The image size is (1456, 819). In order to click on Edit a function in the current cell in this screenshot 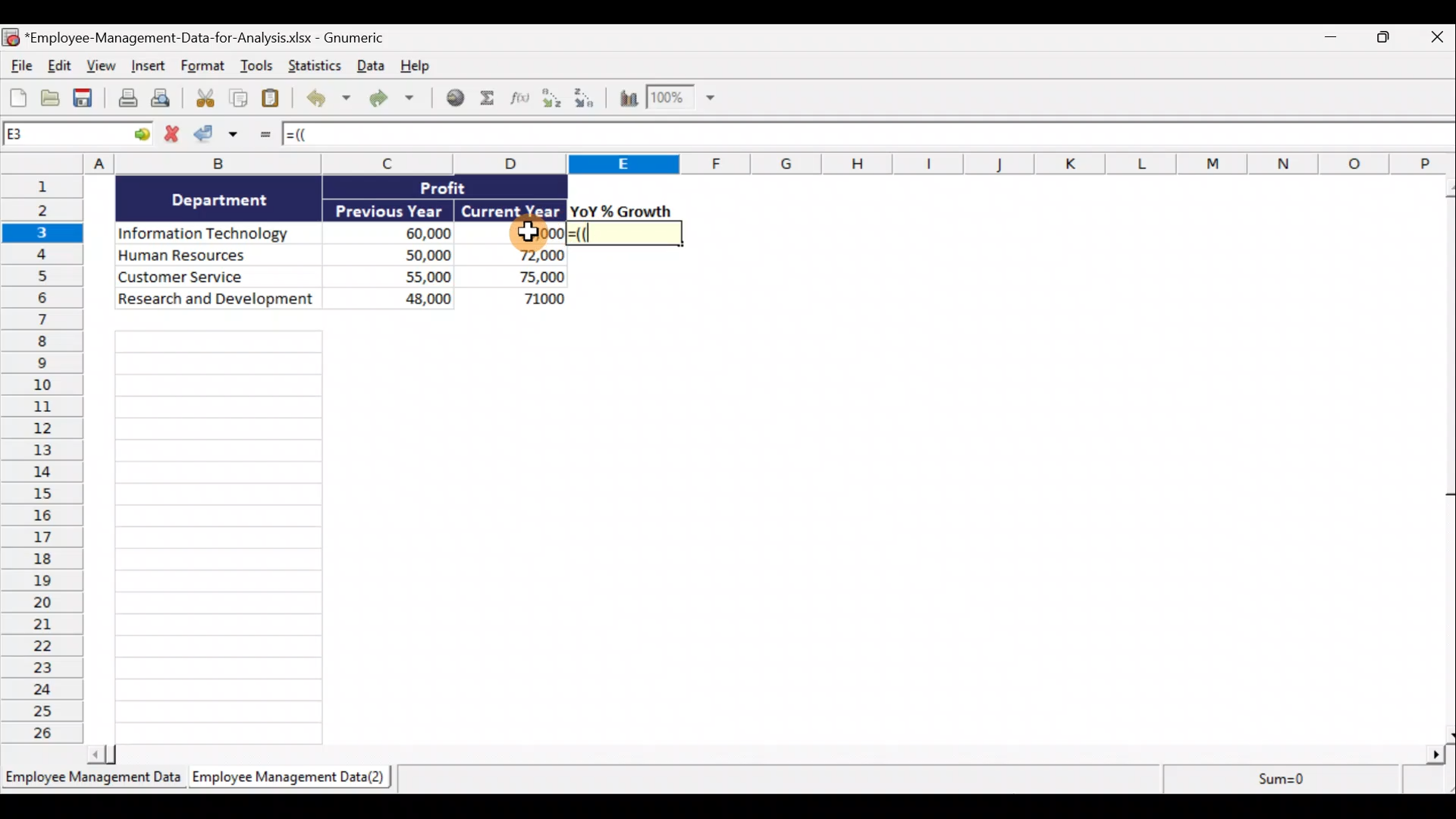, I will do `click(524, 102)`.